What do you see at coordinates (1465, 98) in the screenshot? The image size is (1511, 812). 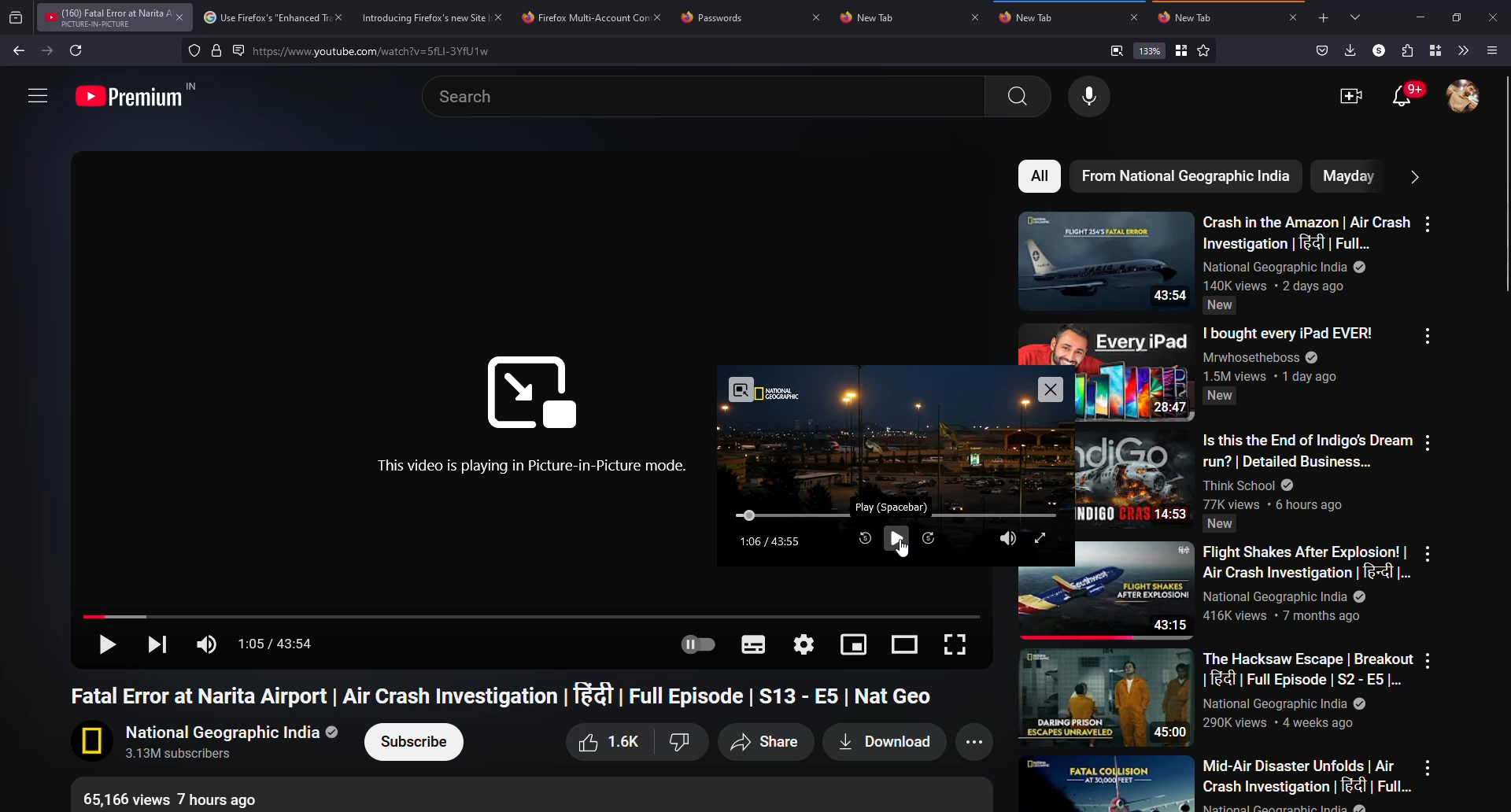 I see `account` at bounding box center [1465, 98].